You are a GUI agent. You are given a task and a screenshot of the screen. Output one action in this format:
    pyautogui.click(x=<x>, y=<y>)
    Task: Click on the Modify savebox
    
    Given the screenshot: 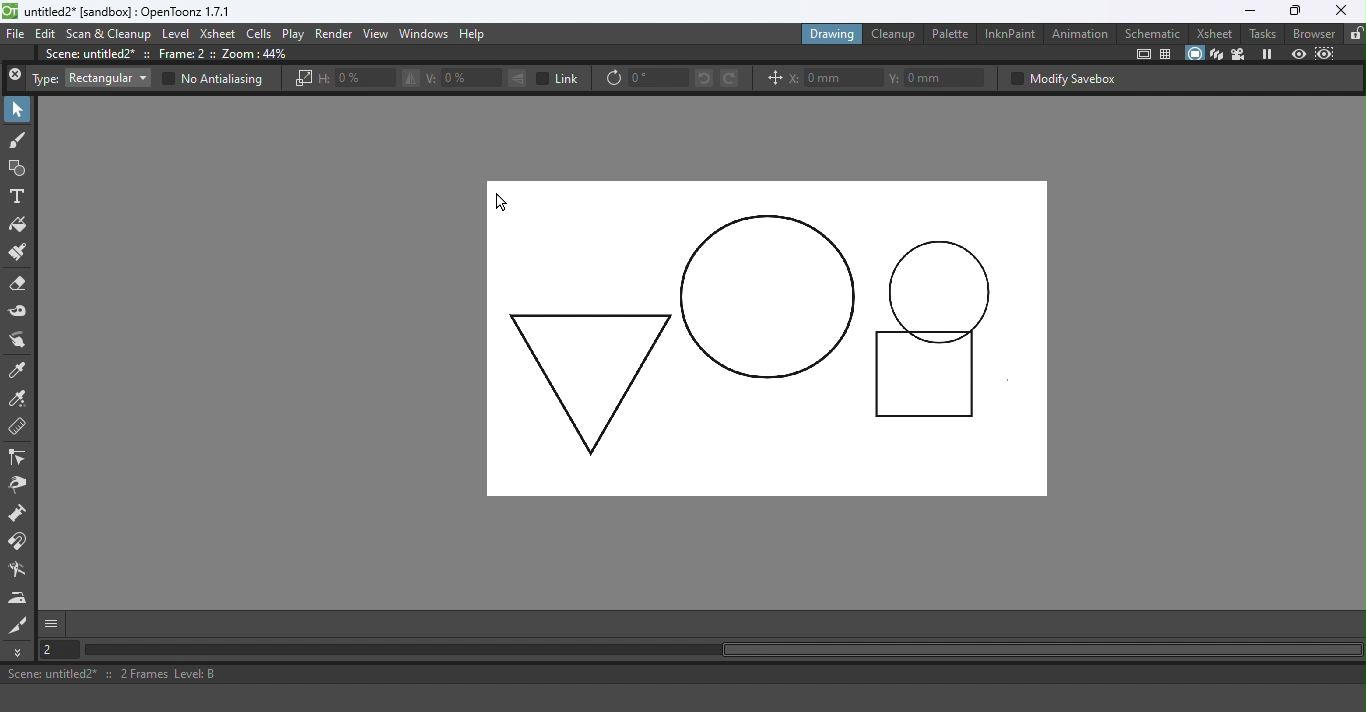 What is the action you would take?
    pyautogui.click(x=1062, y=78)
    